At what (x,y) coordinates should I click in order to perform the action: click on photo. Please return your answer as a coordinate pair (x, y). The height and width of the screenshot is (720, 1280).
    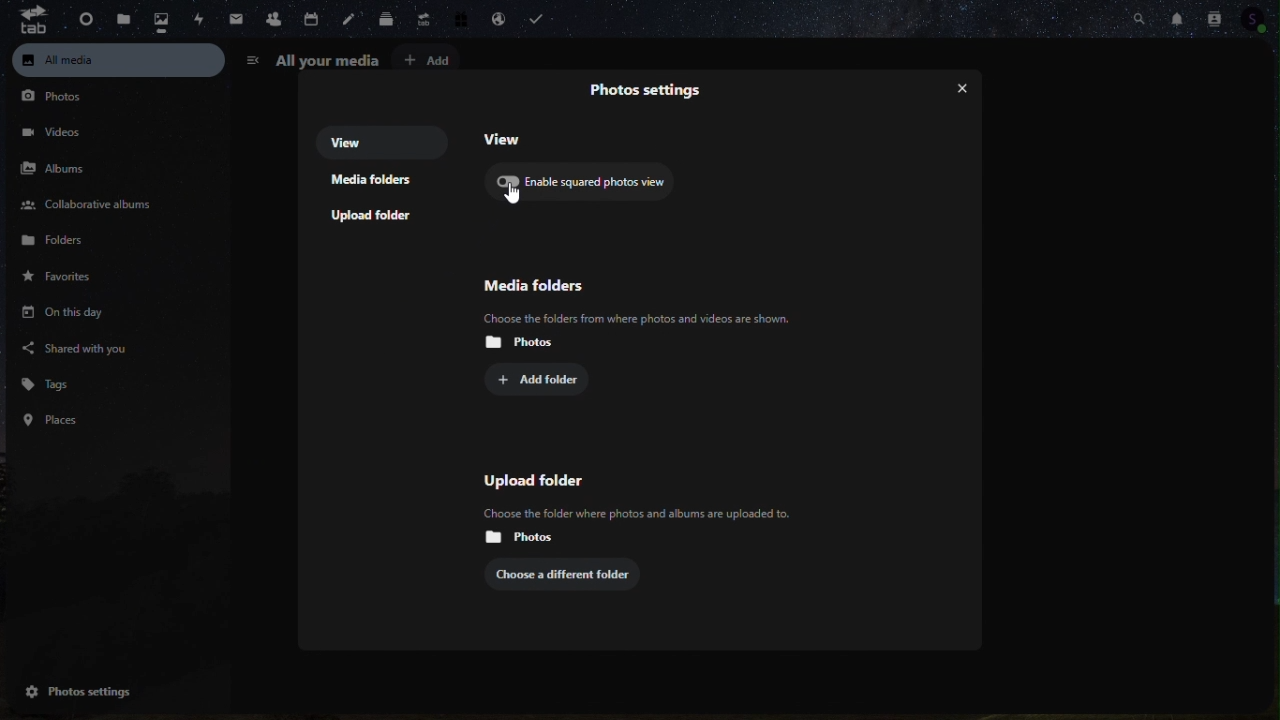
    Looking at the image, I should click on (163, 21).